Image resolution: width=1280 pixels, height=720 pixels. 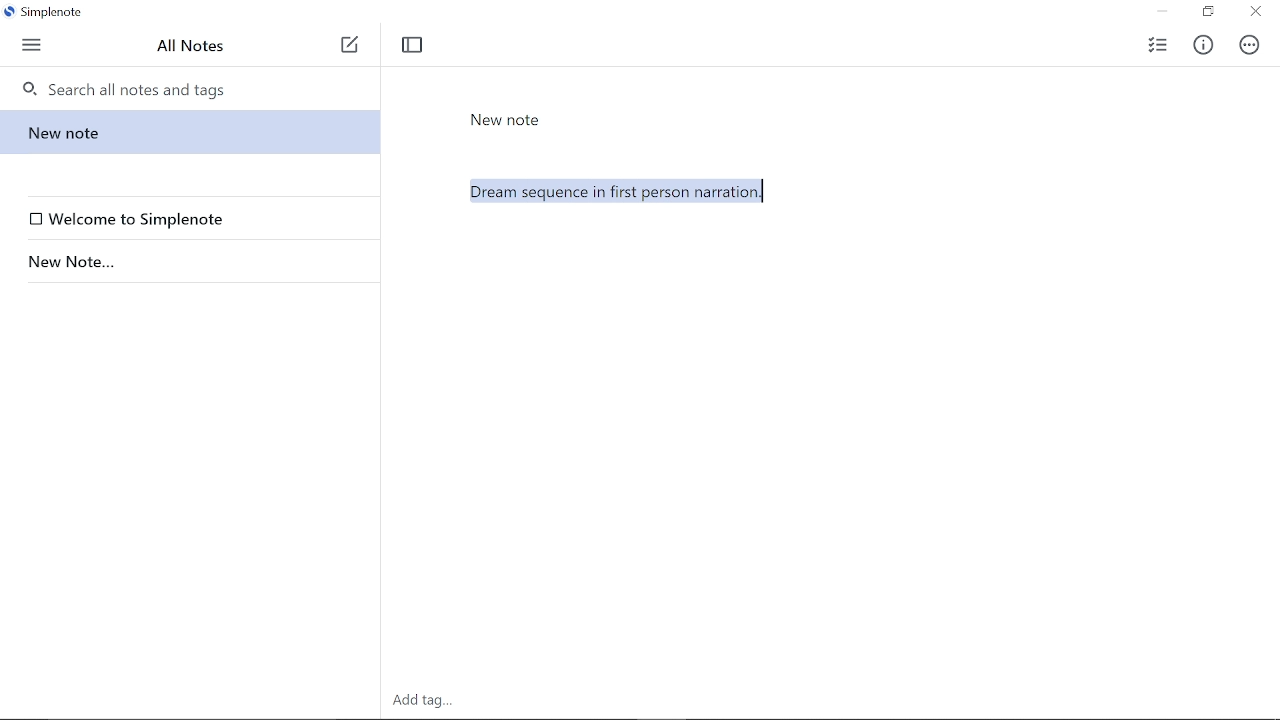 What do you see at coordinates (186, 262) in the screenshot?
I see `New Note...` at bounding box center [186, 262].